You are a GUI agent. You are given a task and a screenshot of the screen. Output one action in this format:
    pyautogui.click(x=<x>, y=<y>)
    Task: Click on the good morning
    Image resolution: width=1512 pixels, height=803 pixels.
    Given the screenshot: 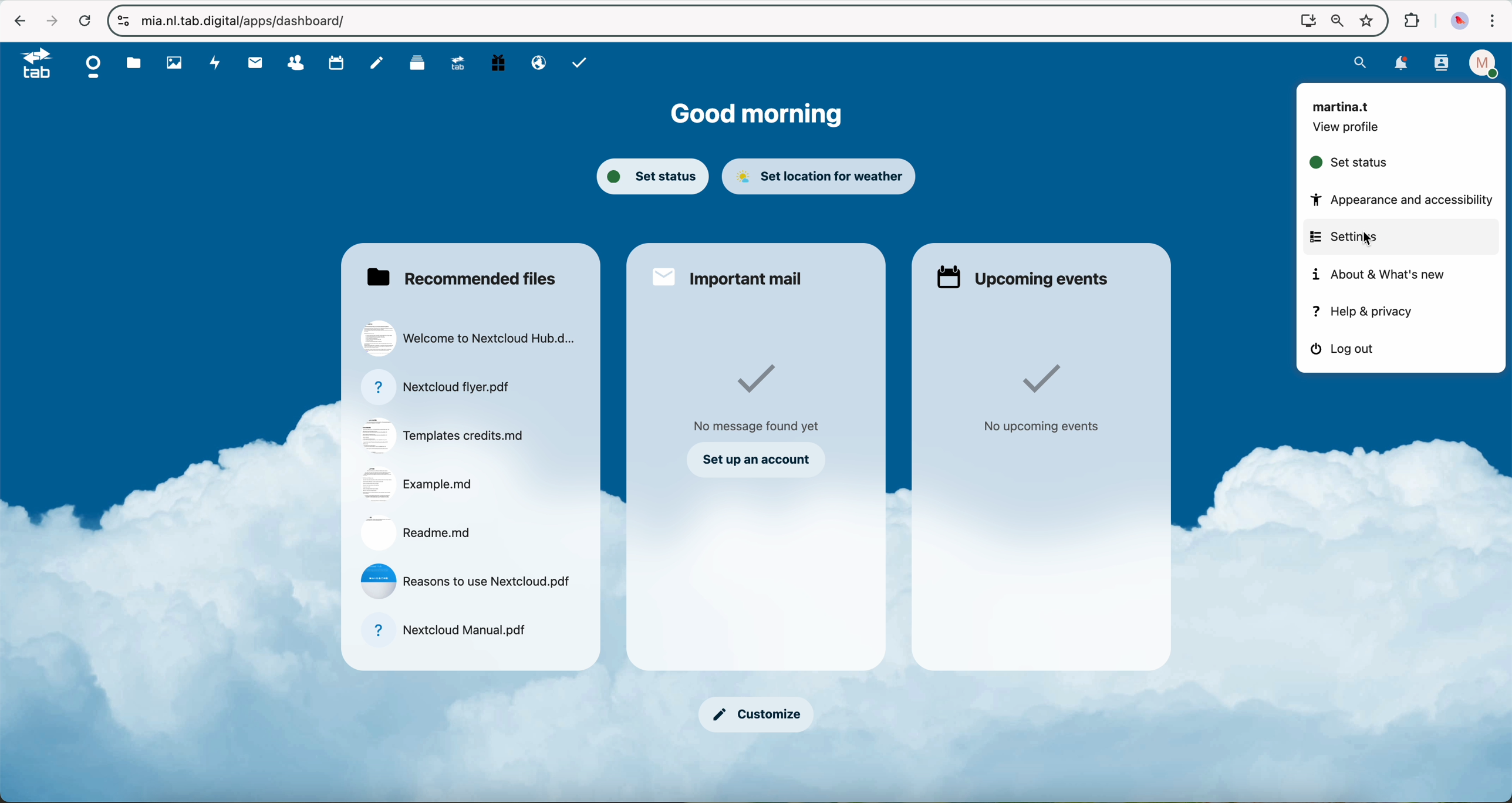 What is the action you would take?
    pyautogui.click(x=761, y=113)
    